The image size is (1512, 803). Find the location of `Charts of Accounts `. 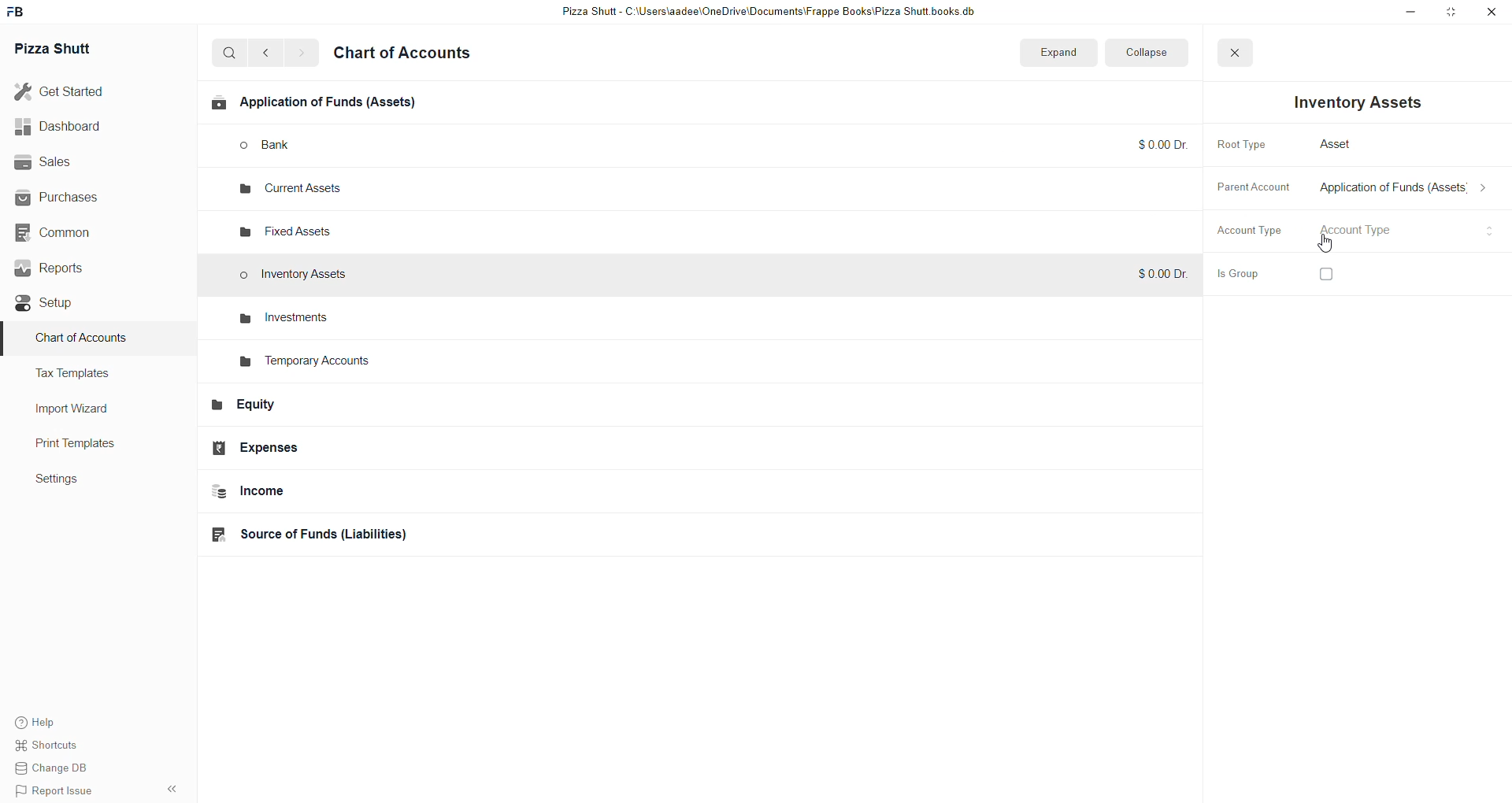

Charts of Accounts  is located at coordinates (83, 342).